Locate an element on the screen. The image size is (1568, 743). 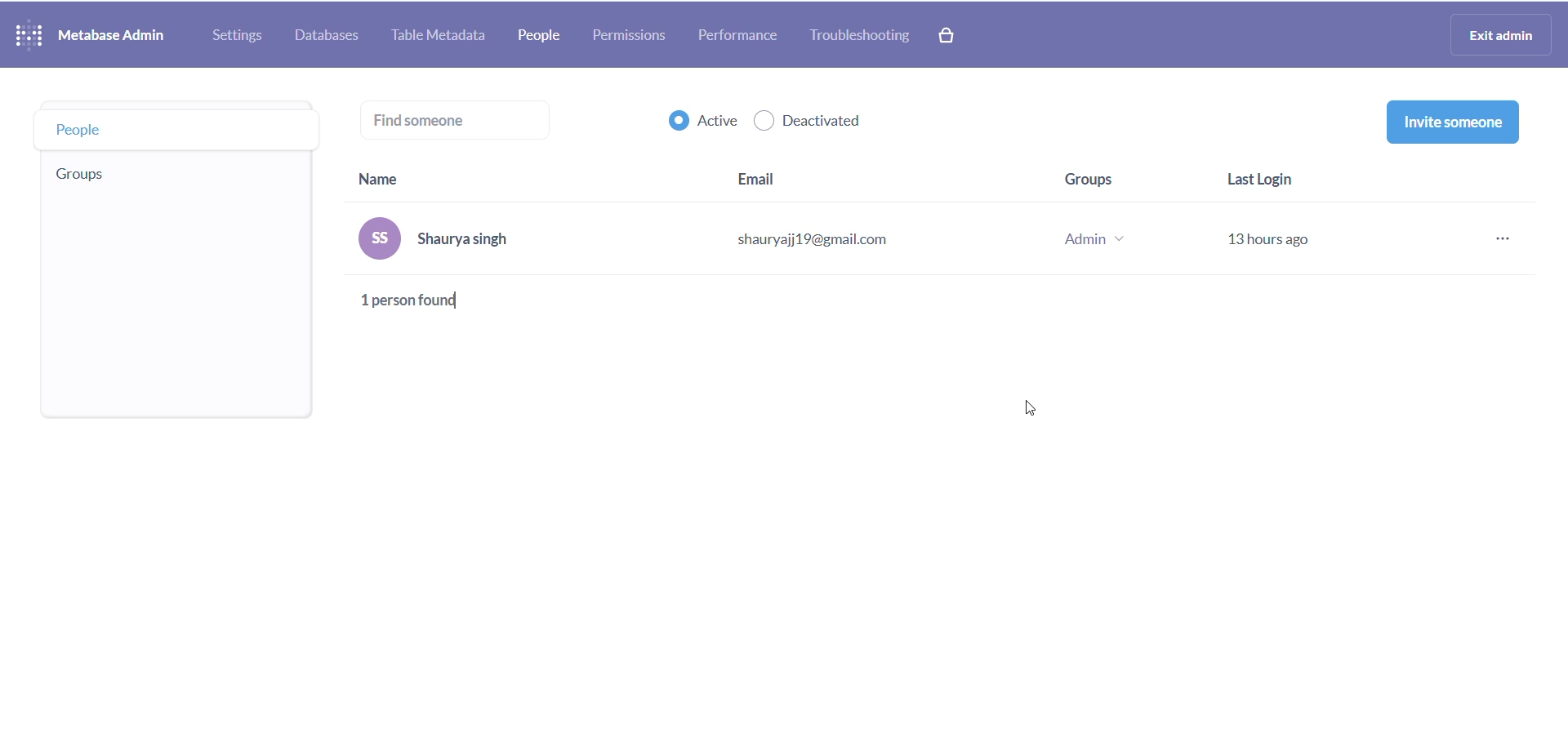
group is located at coordinates (1111, 181).